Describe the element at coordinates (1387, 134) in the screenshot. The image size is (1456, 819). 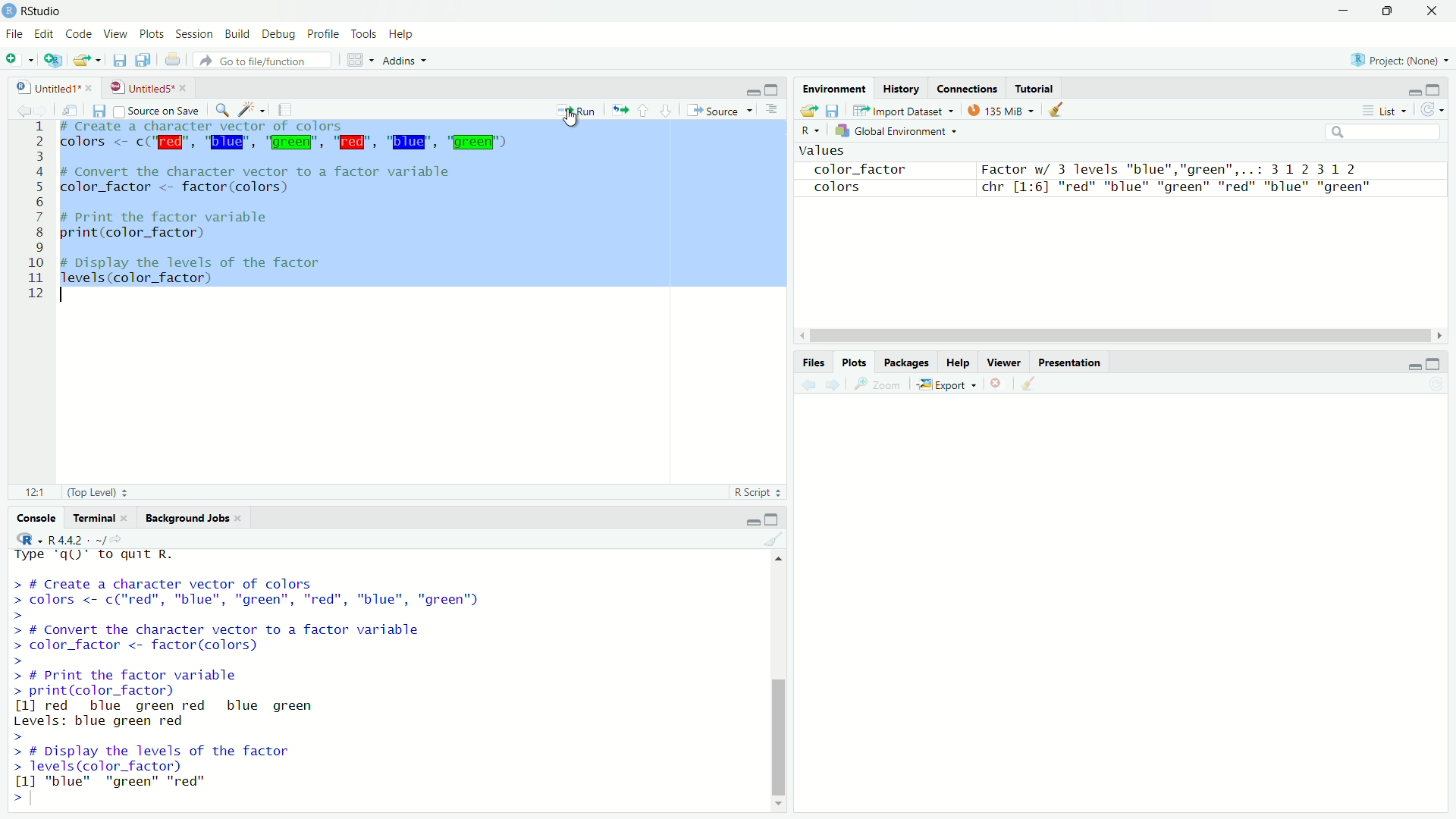
I see `search field` at that location.